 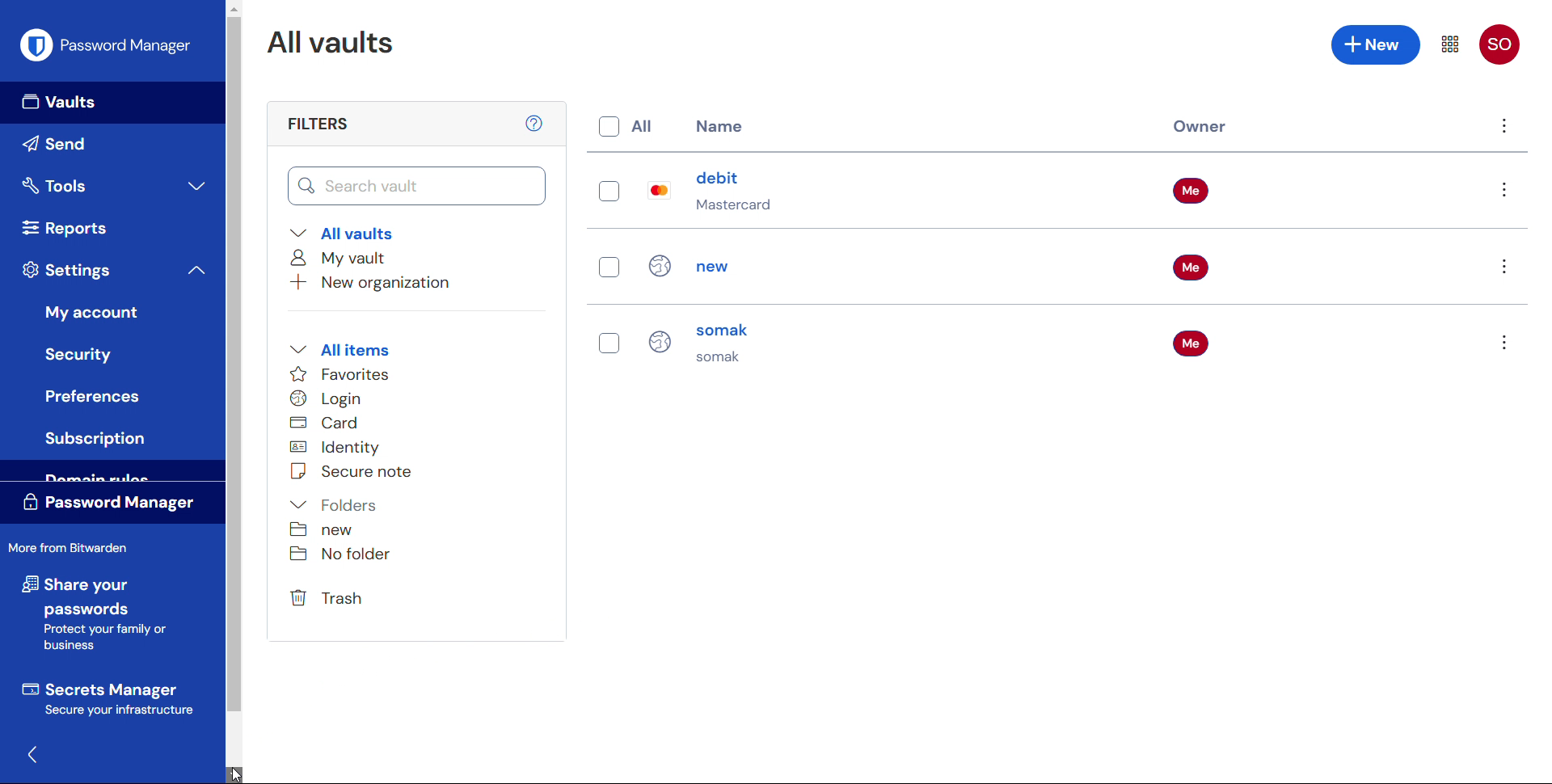 What do you see at coordinates (84, 355) in the screenshot?
I see `Security ` at bounding box center [84, 355].